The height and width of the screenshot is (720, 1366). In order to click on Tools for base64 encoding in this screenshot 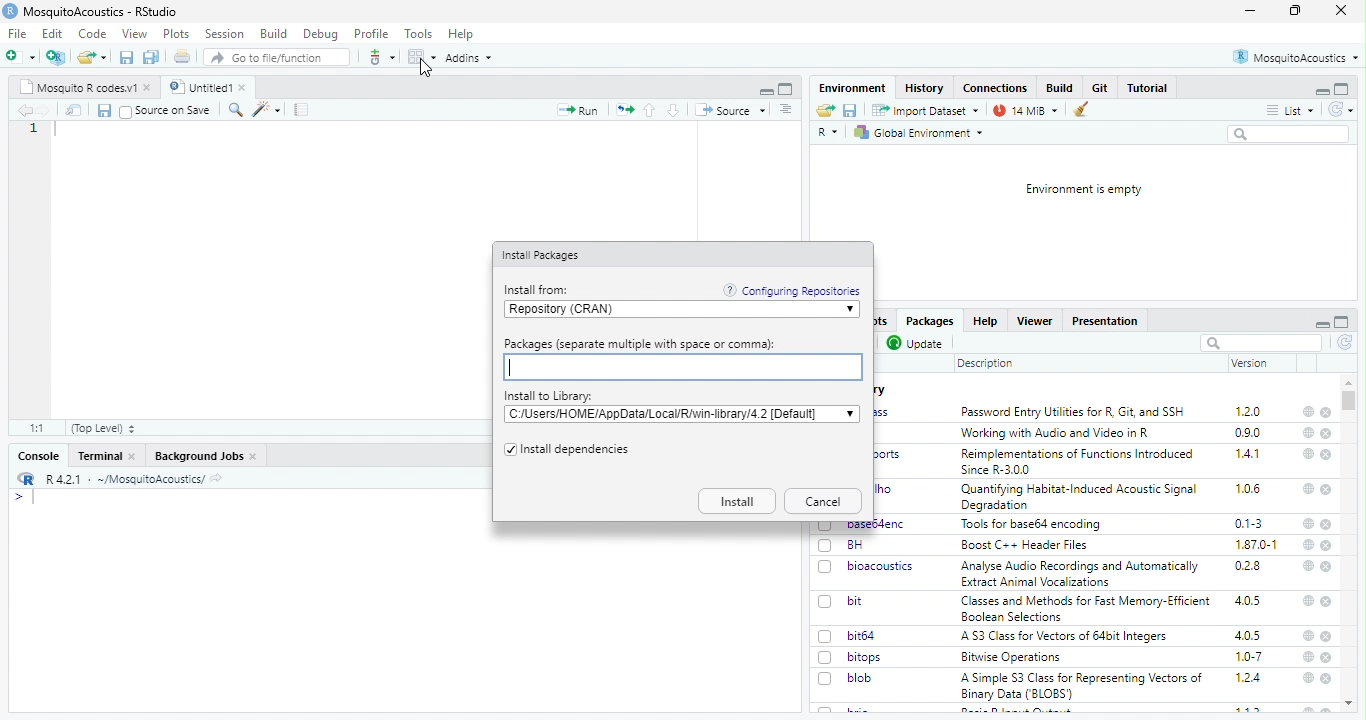, I will do `click(1032, 525)`.